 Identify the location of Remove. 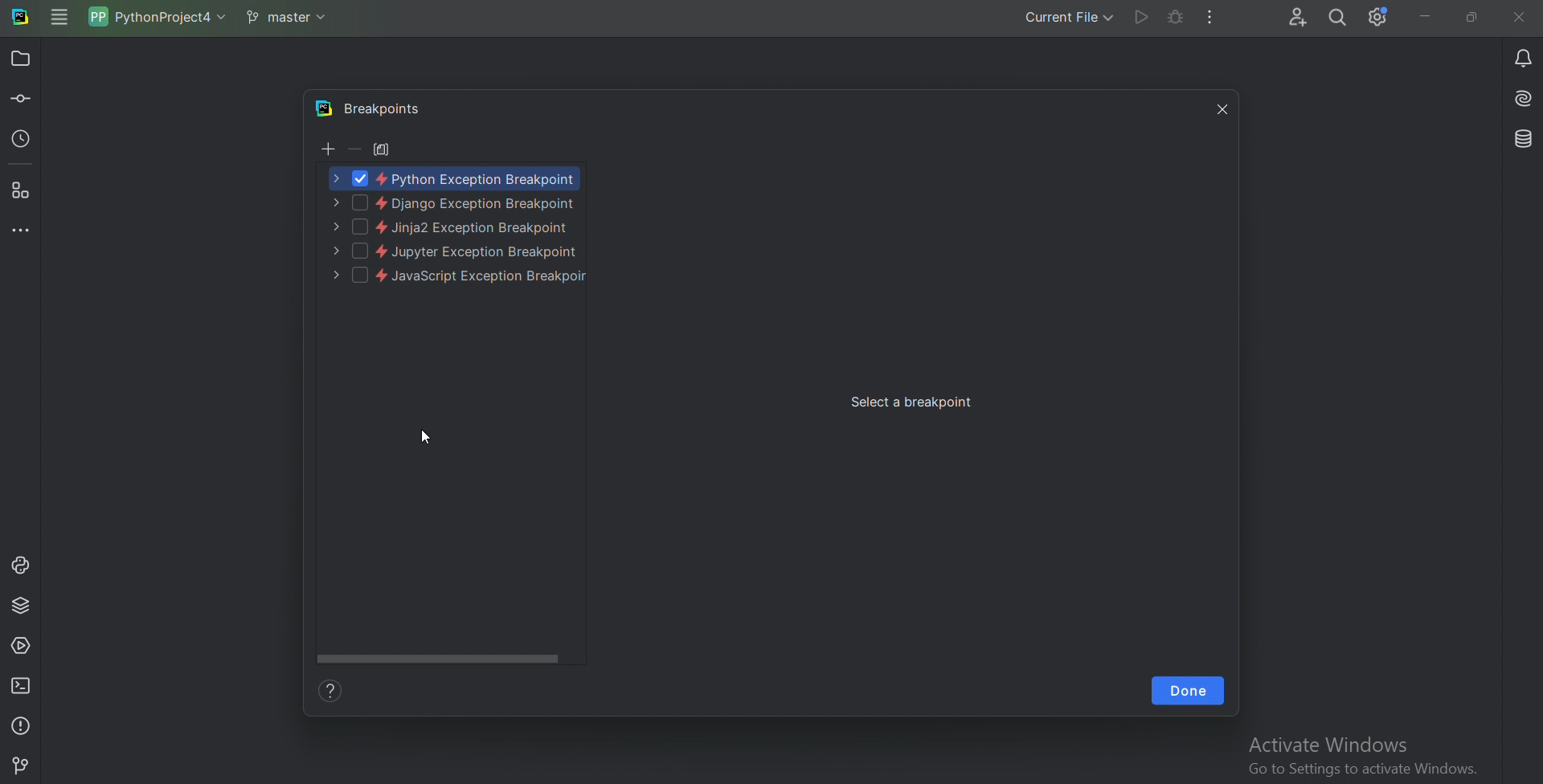
(354, 149).